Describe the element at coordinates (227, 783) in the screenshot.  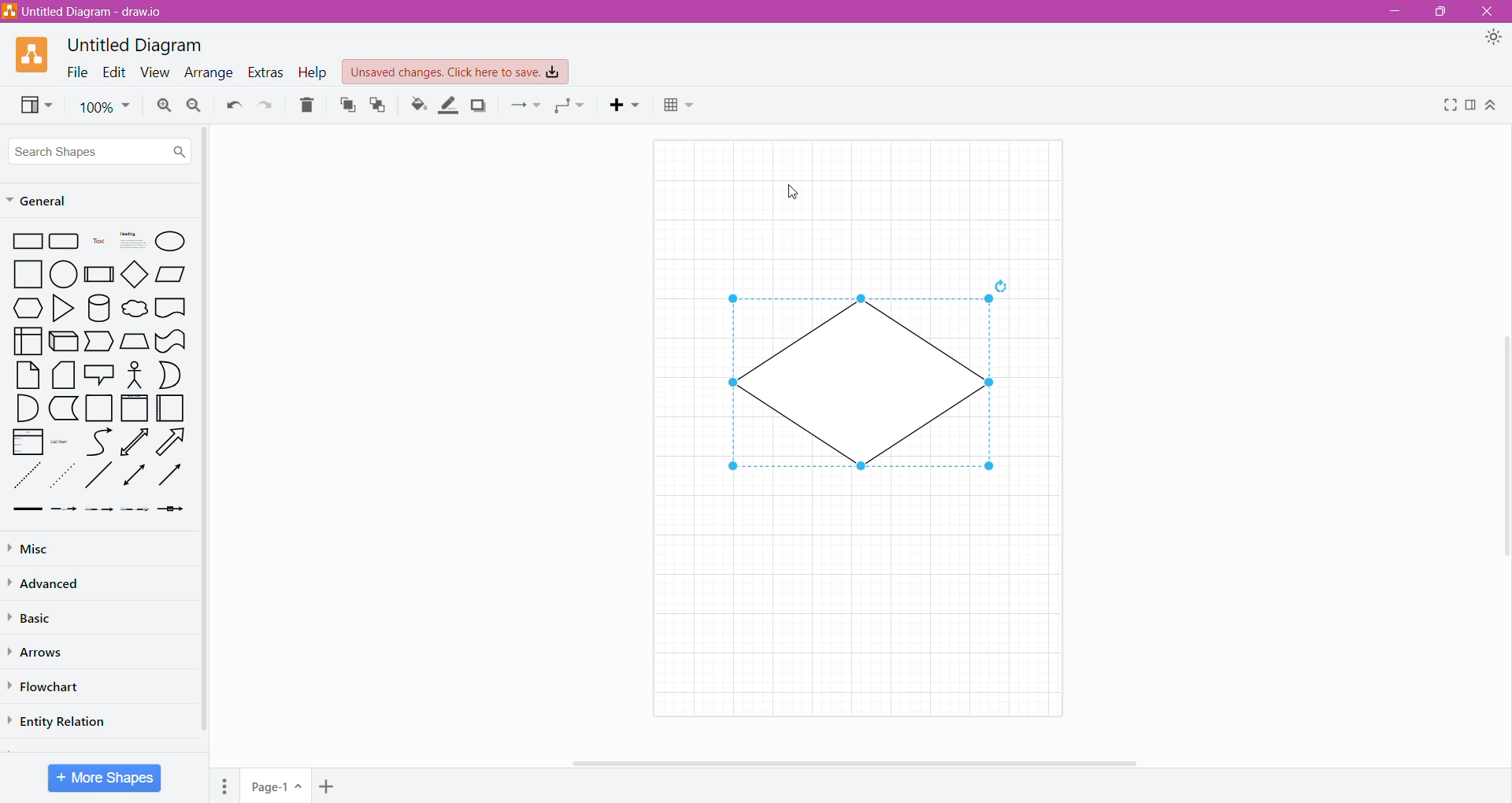
I see `` at that location.